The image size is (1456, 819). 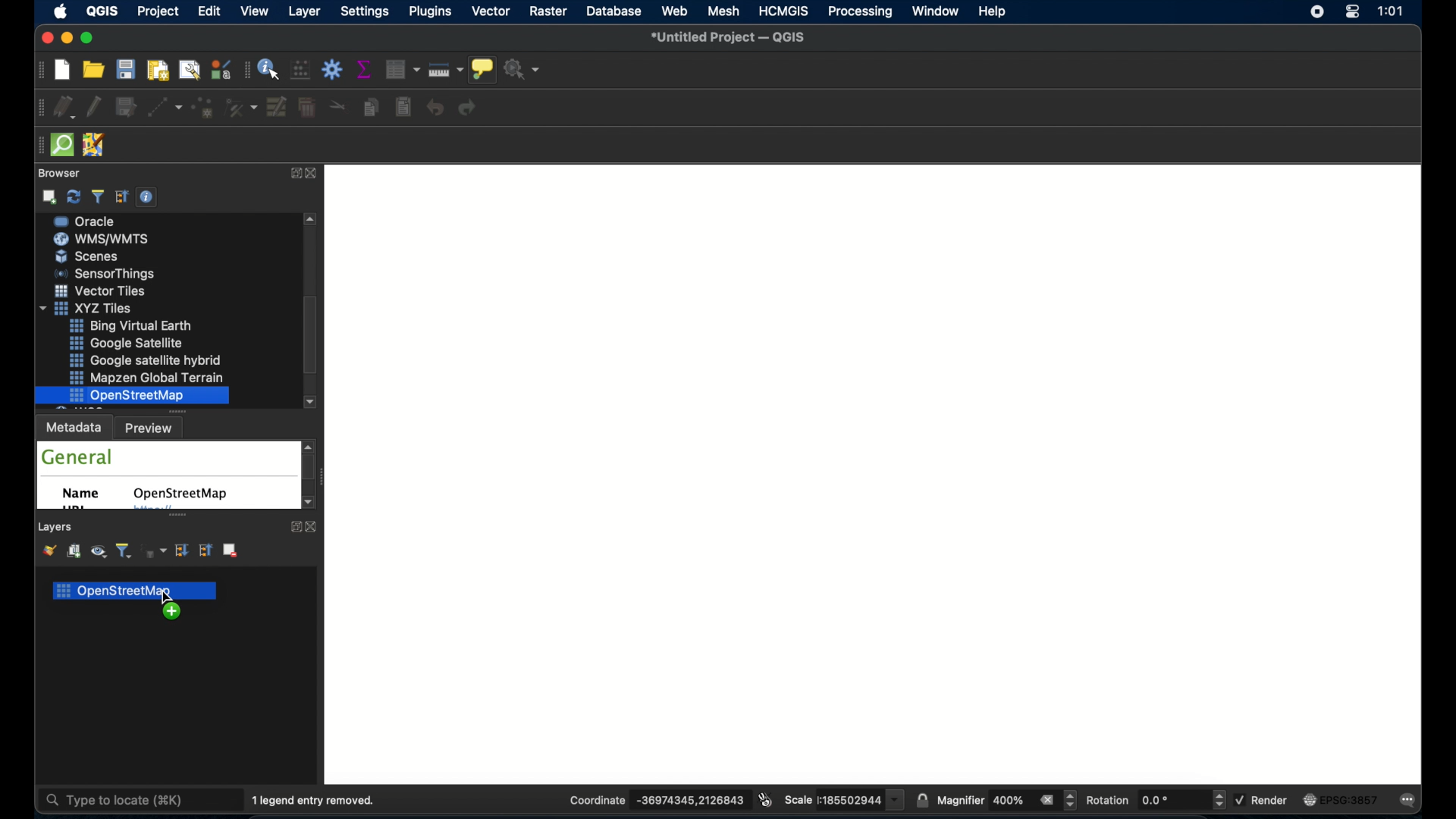 I want to click on open field calculator, so click(x=300, y=70).